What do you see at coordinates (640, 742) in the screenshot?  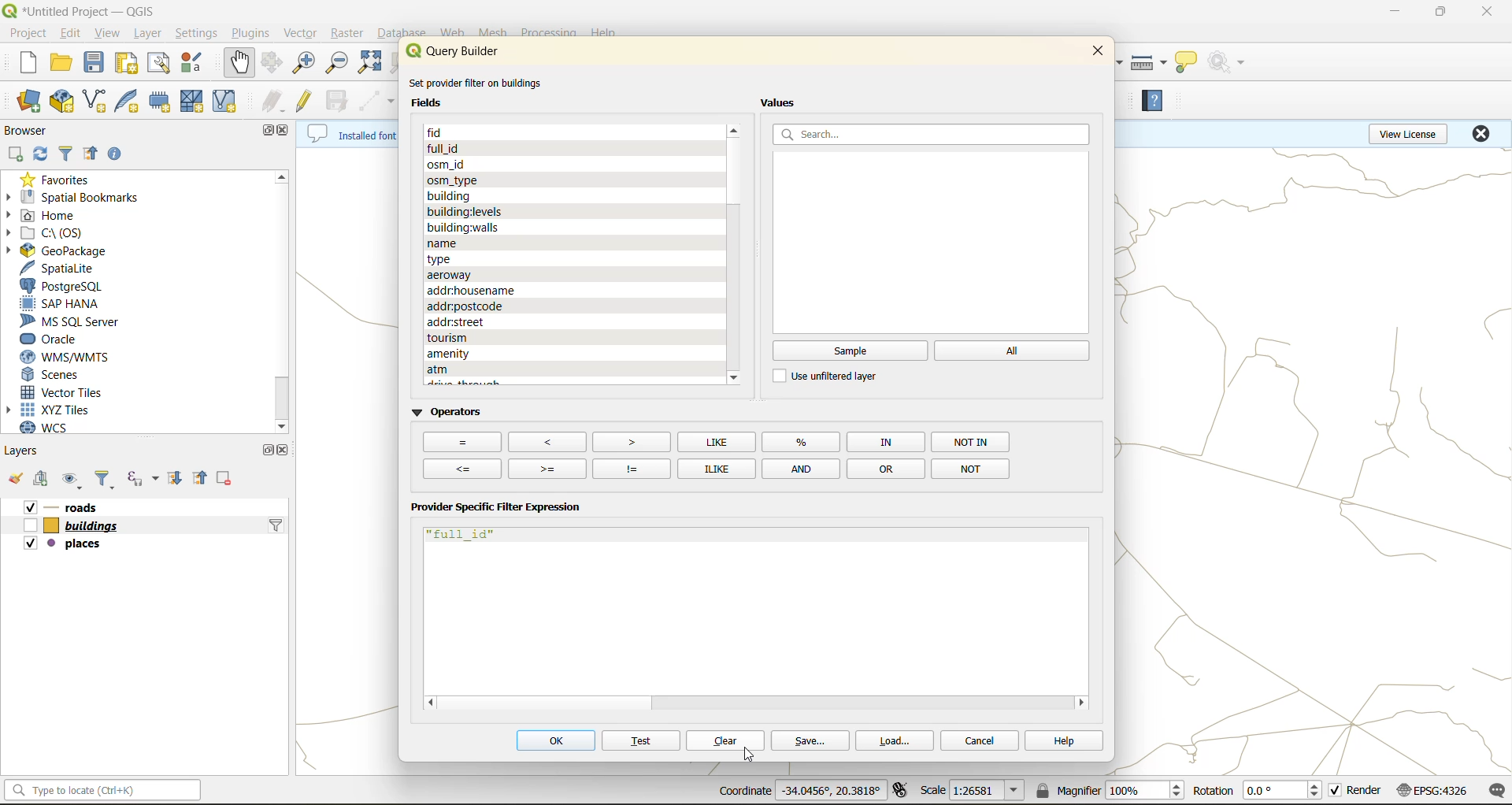 I see `text` at bounding box center [640, 742].